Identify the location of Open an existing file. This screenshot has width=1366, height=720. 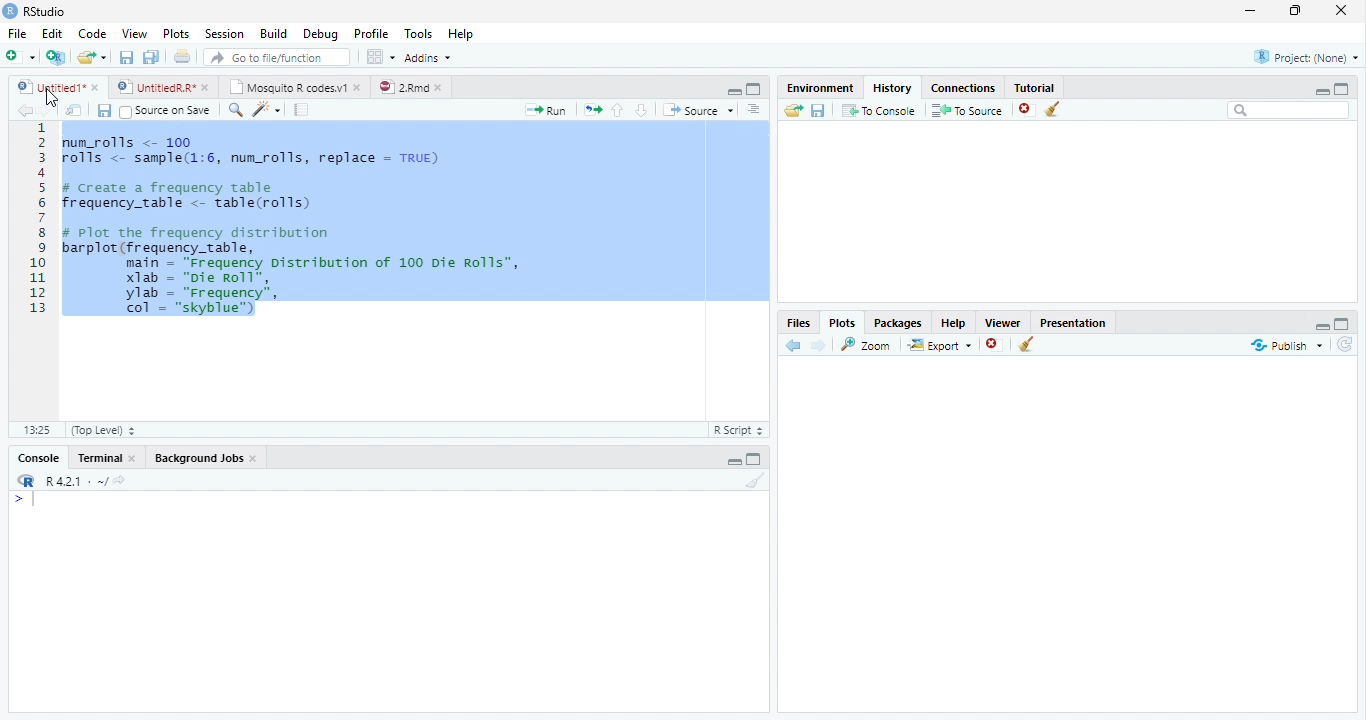
(92, 57).